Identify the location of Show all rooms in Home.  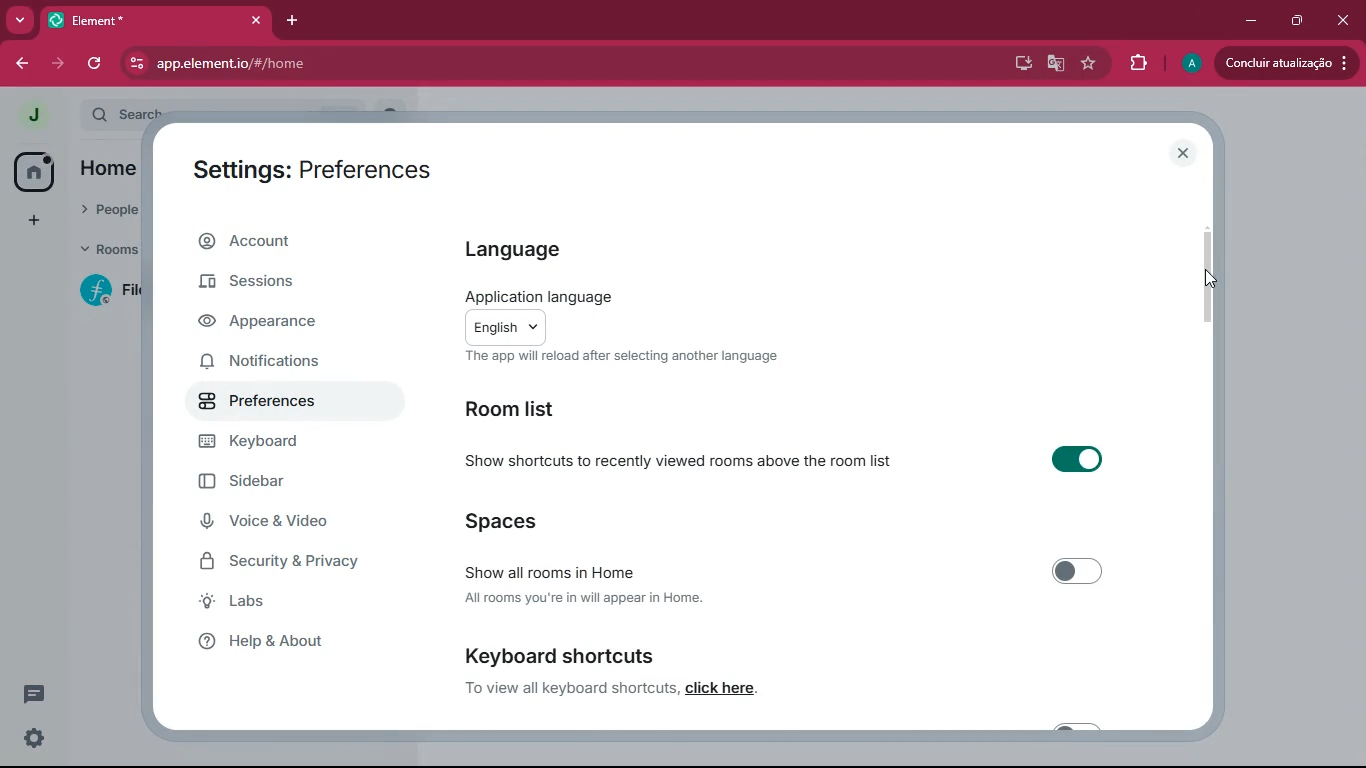
(779, 571).